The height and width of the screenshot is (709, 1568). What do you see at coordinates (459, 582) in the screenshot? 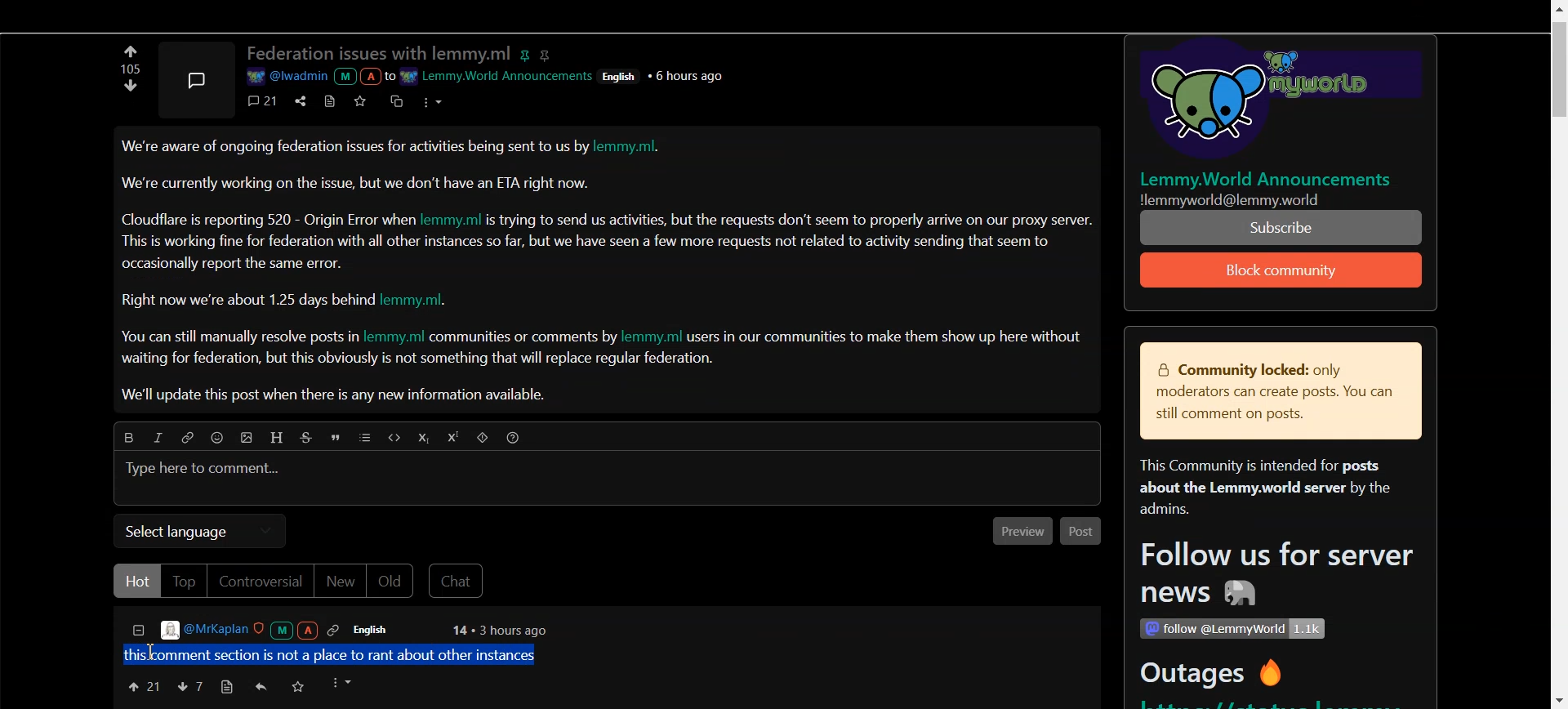
I see `Chat` at bounding box center [459, 582].